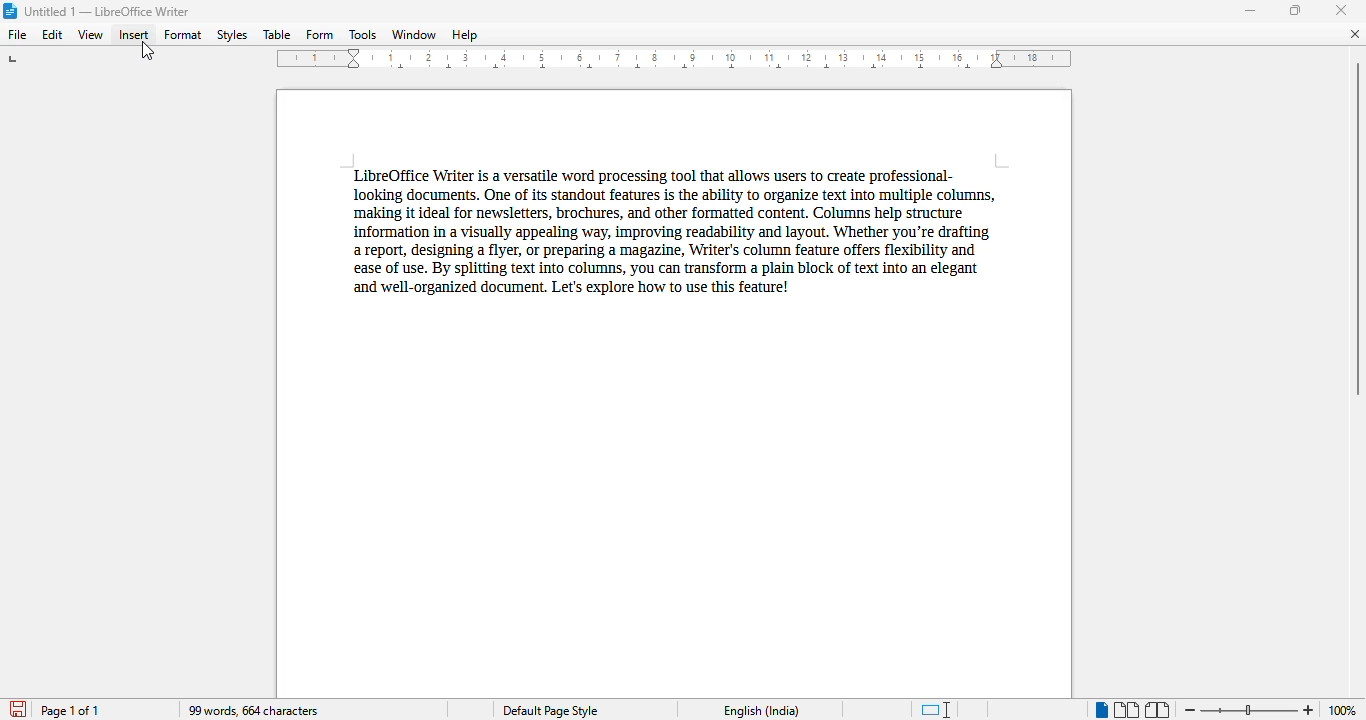  I want to click on window, so click(414, 34).